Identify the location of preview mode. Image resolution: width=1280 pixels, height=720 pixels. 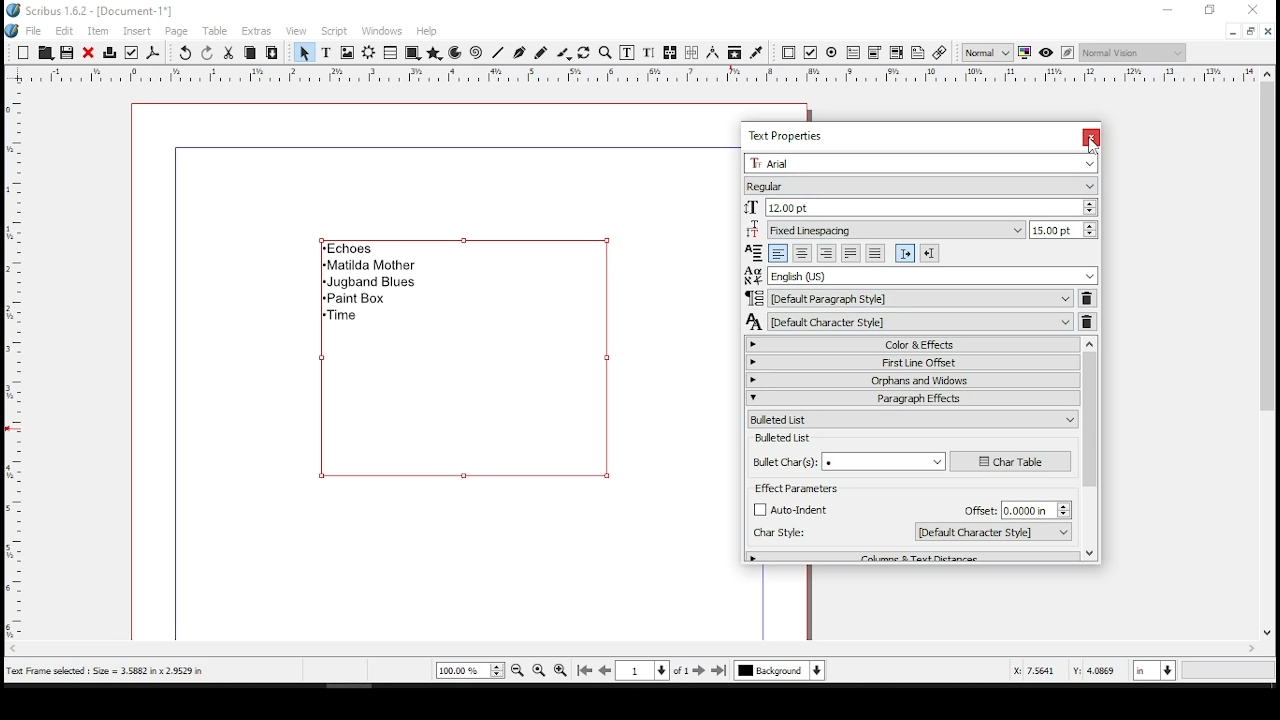
(1046, 51).